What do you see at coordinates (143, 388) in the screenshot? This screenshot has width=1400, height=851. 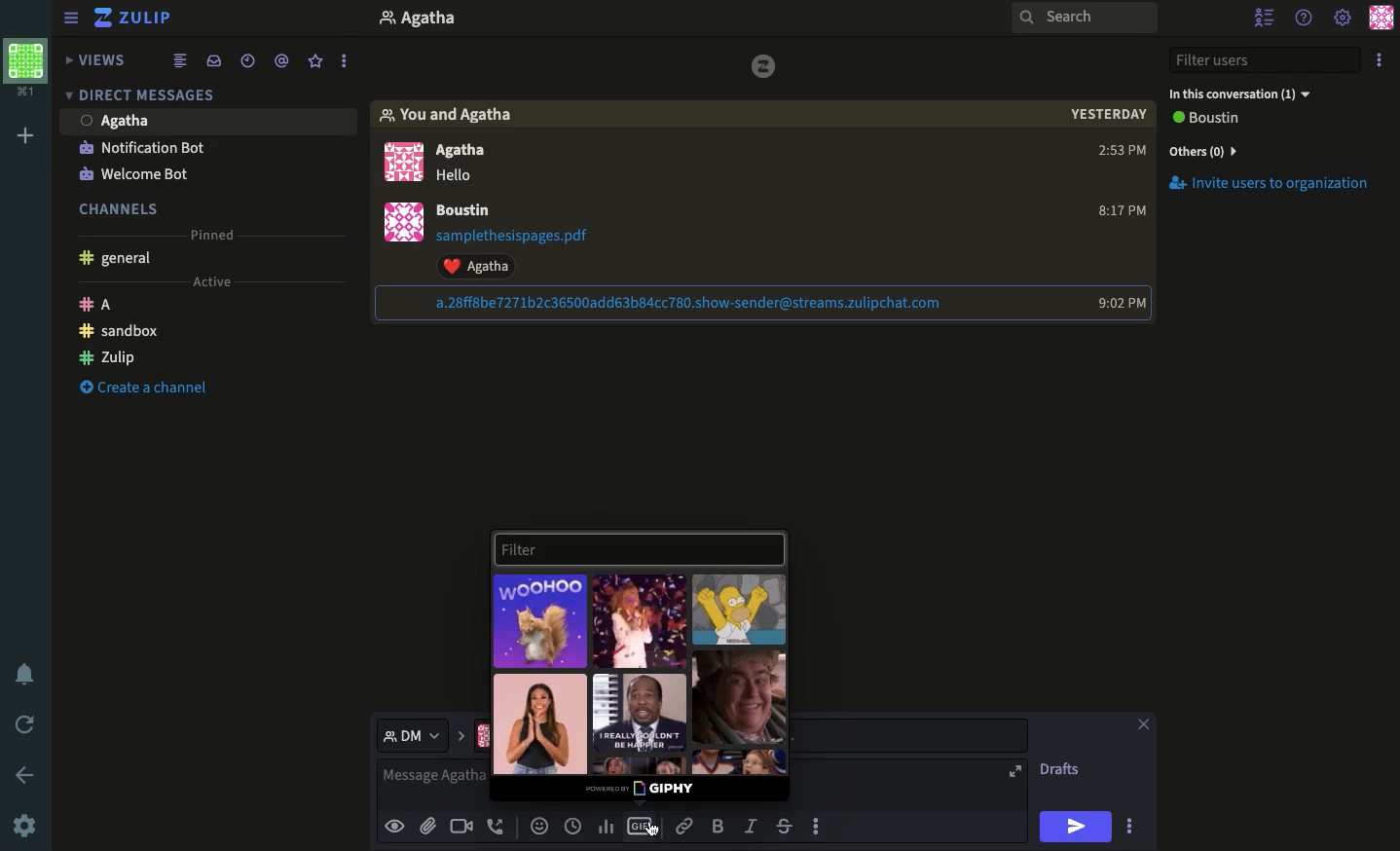 I see `Create a channel` at bounding box center [143, 388].